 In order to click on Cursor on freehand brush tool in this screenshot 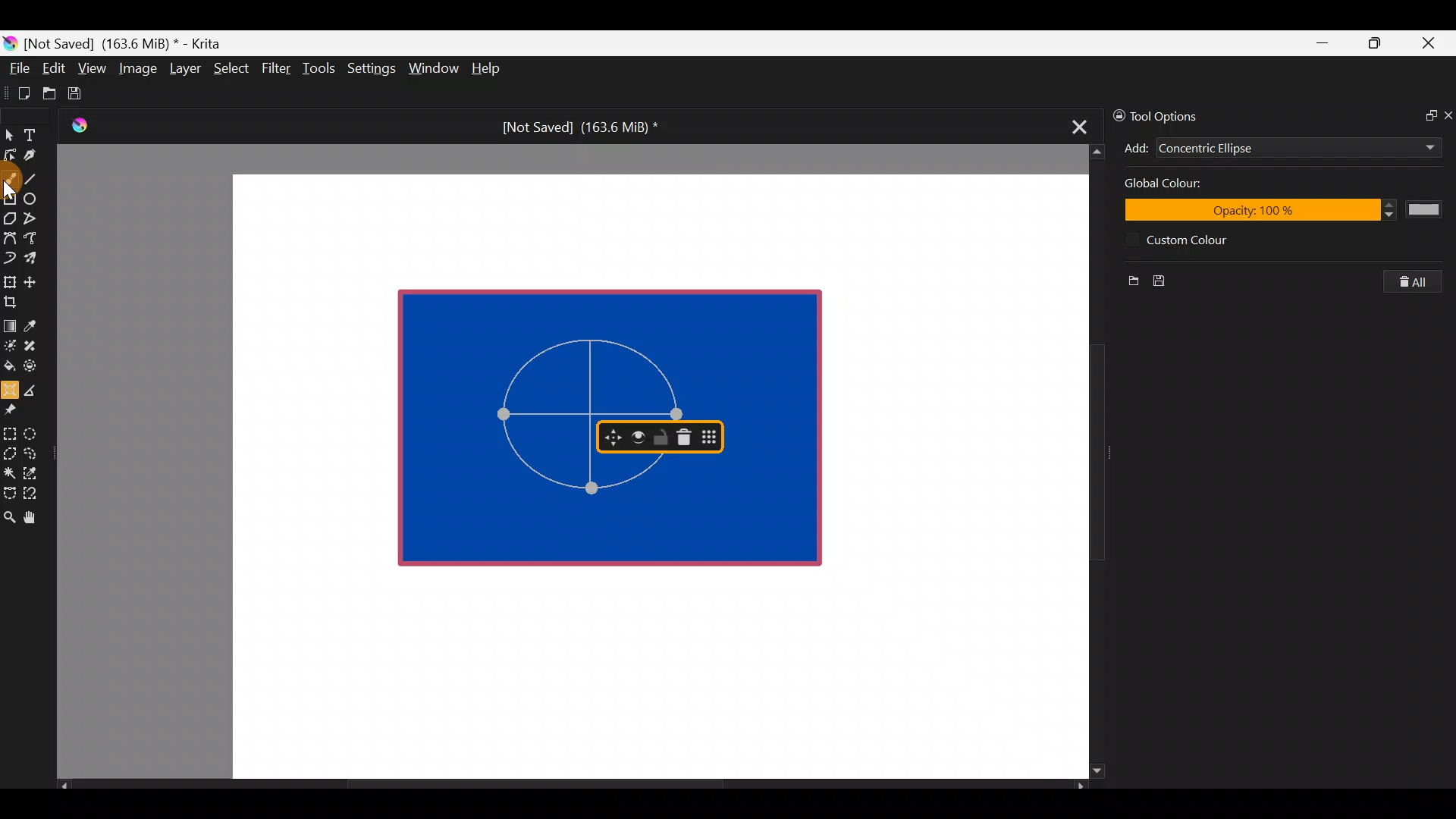, I will do `click(11, 178)`.